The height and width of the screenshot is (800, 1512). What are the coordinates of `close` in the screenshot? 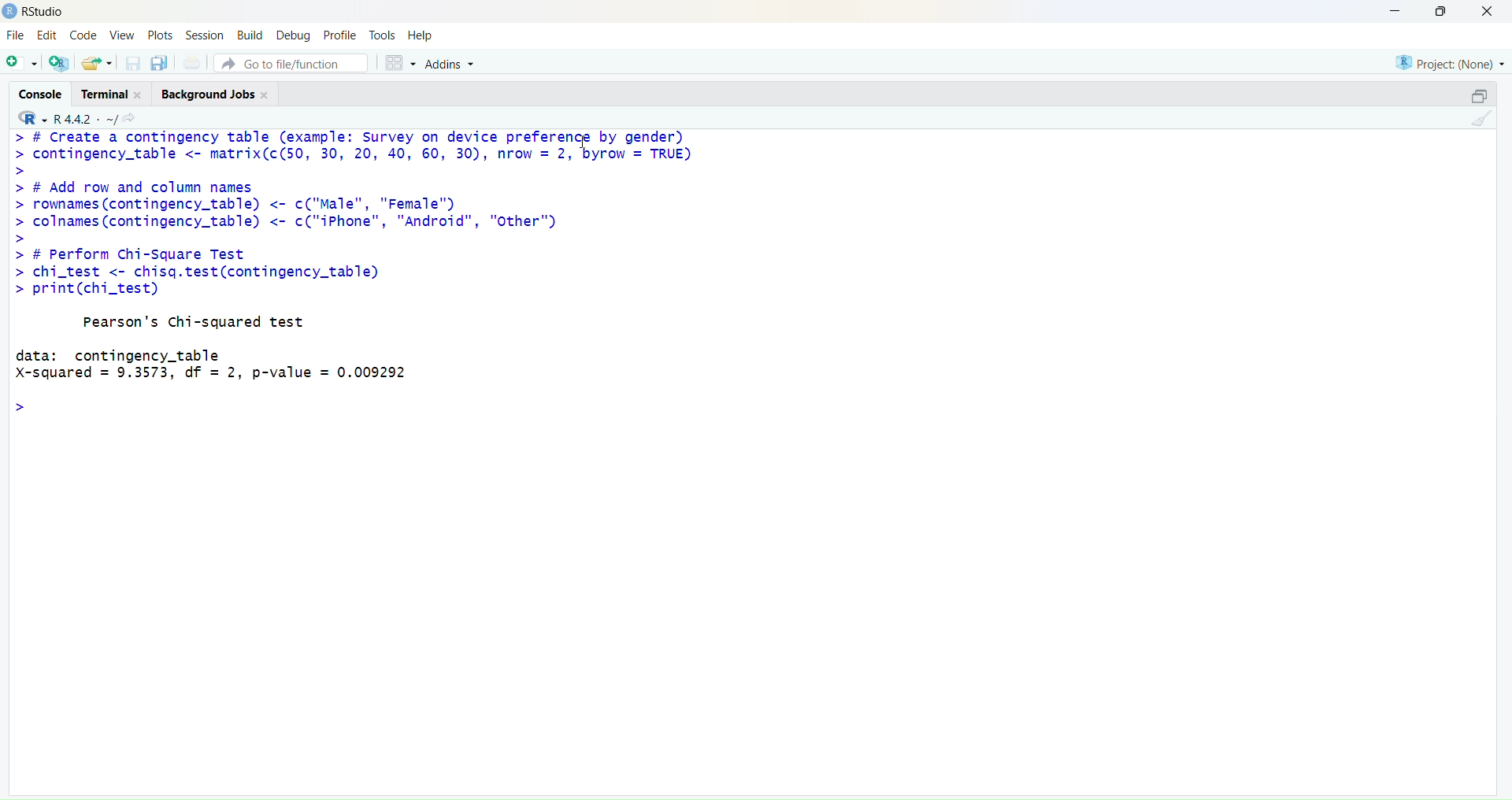 It's located at (265, 94).